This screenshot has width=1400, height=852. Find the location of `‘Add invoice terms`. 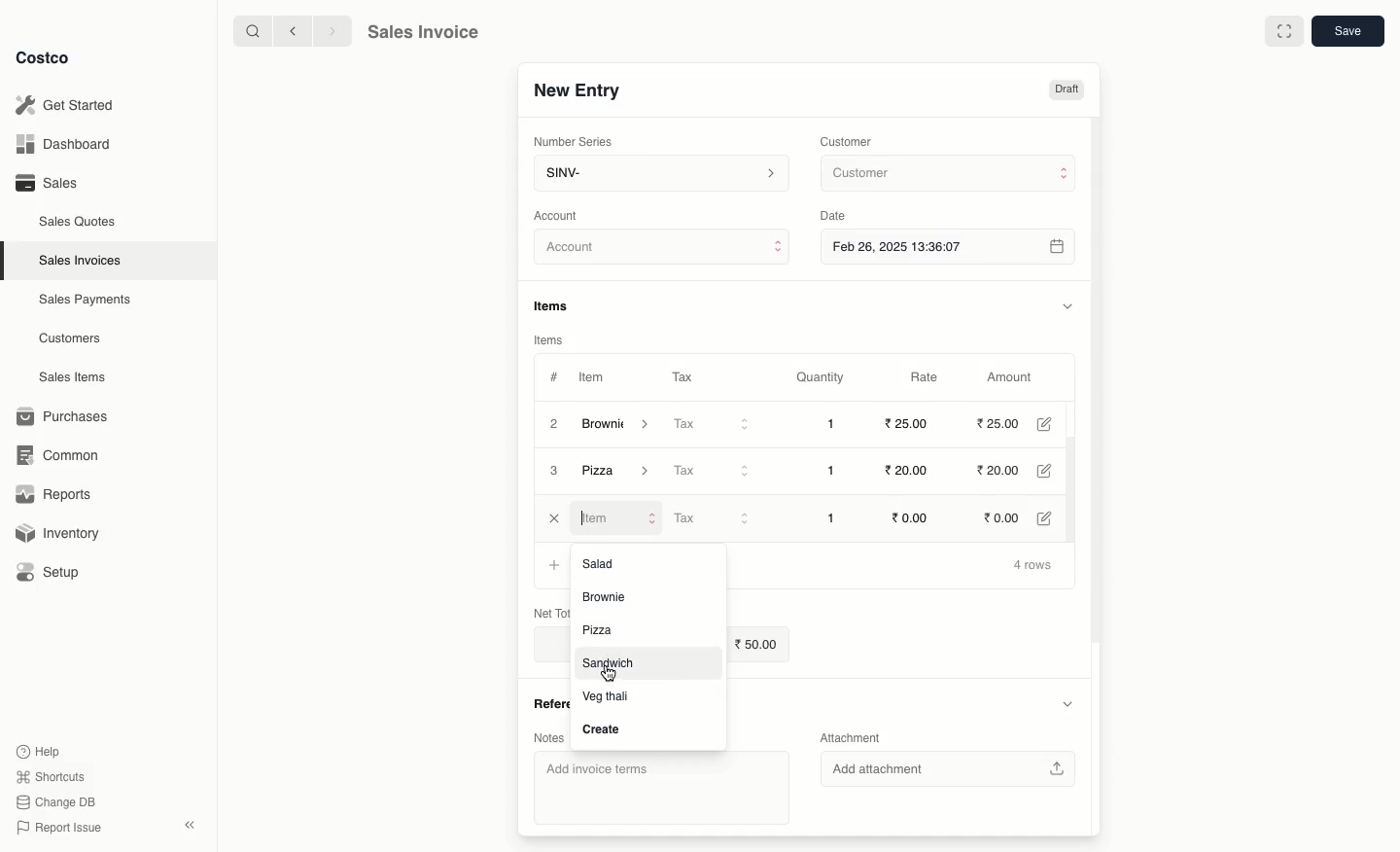

‘Add invoice terms is located at coordinates (654, 787).